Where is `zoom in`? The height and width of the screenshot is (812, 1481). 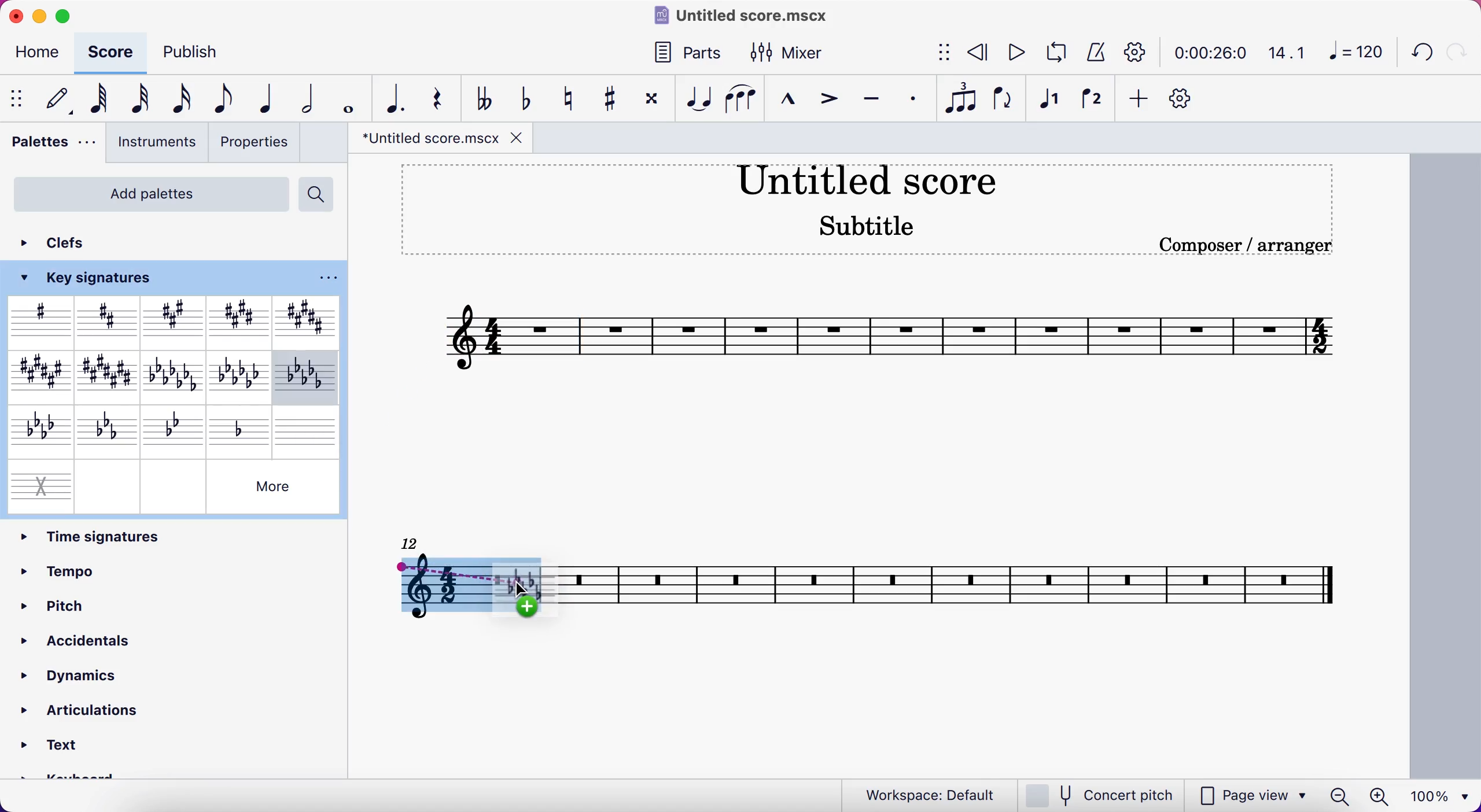 zoom in is located at coordinates (1381, 795).